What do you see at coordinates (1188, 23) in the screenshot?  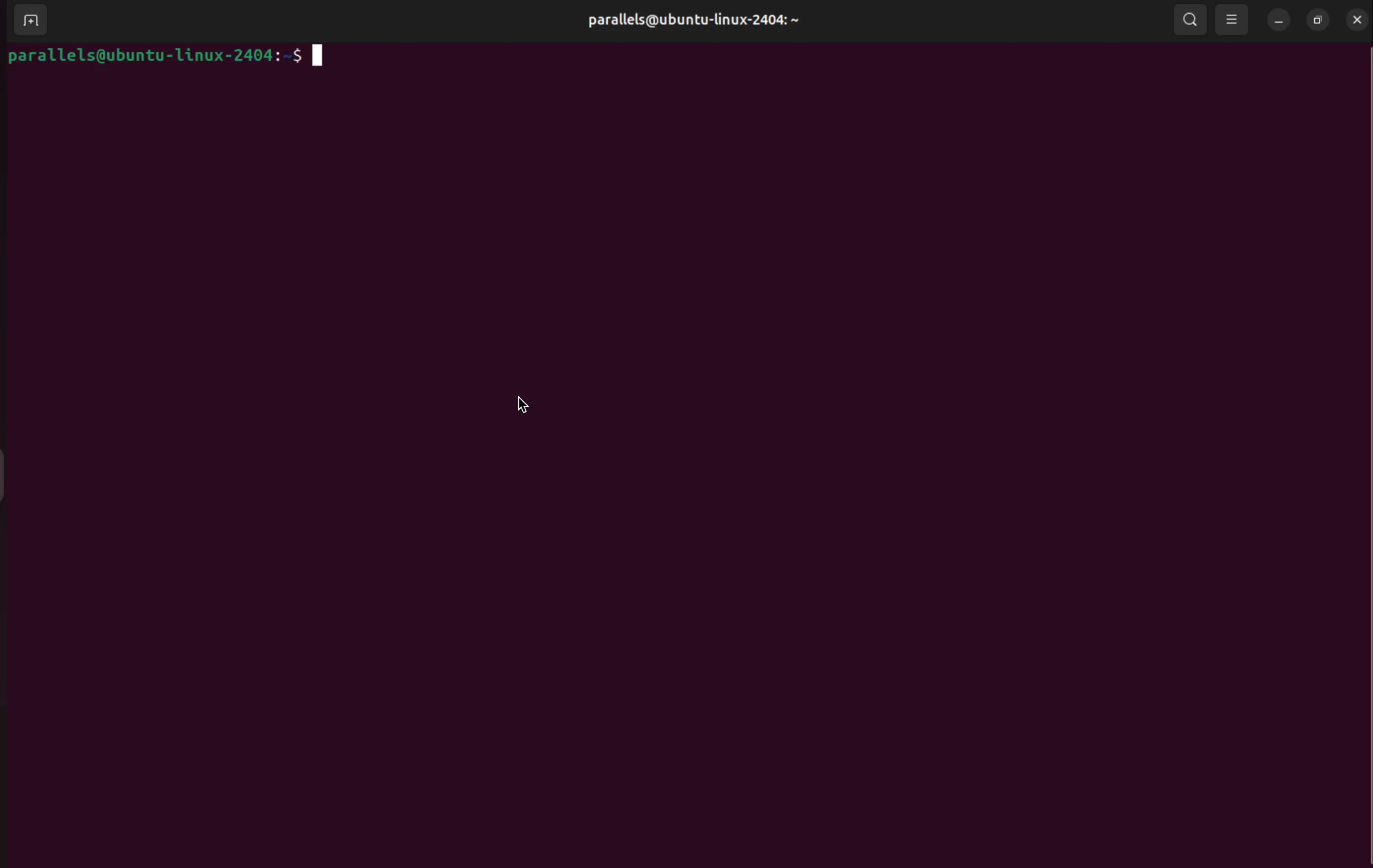 I see `search` at bounding box center [1188, 23].